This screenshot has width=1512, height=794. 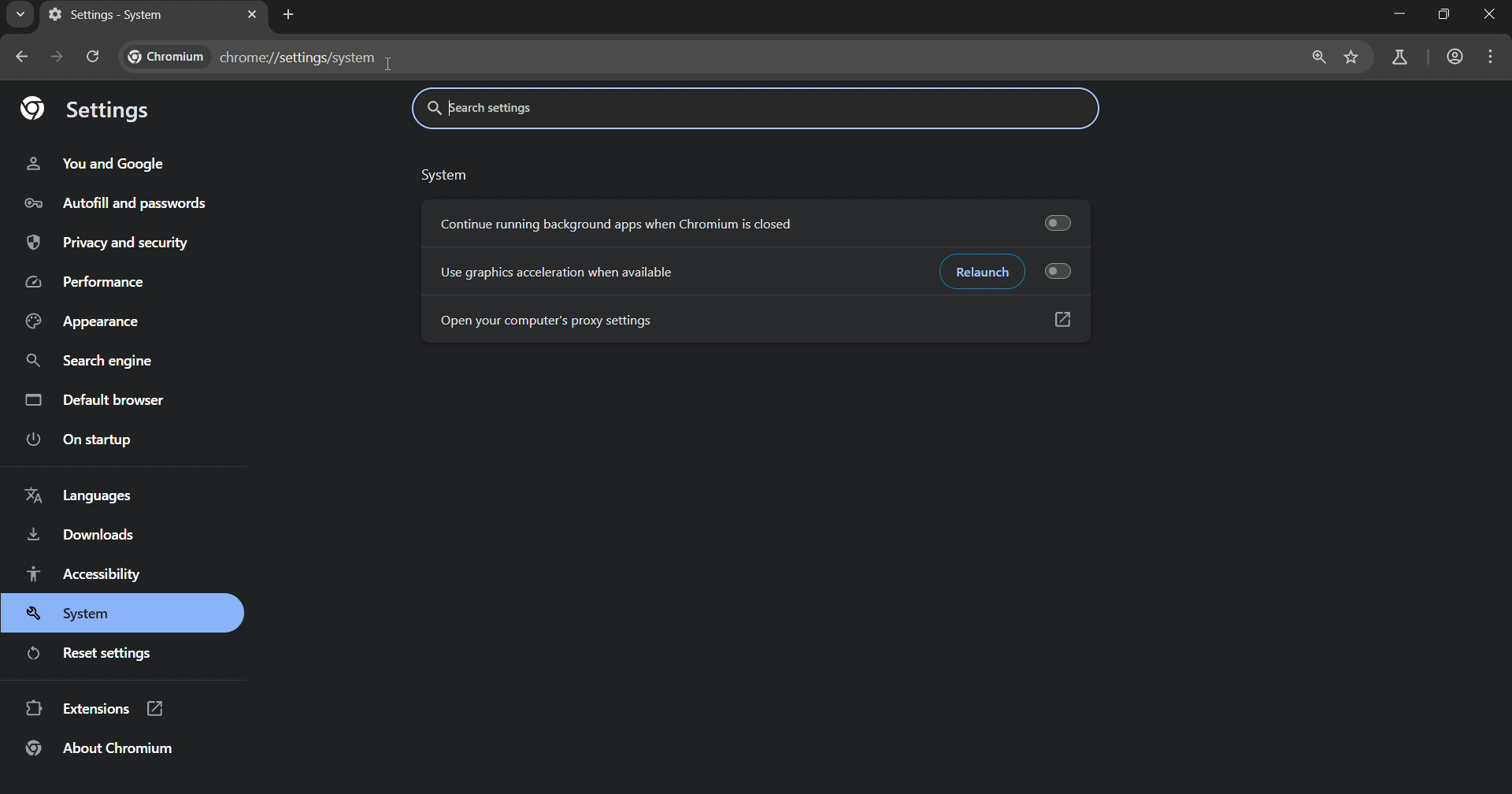 I want to click on Minimize, so click(x=1396, y=17).